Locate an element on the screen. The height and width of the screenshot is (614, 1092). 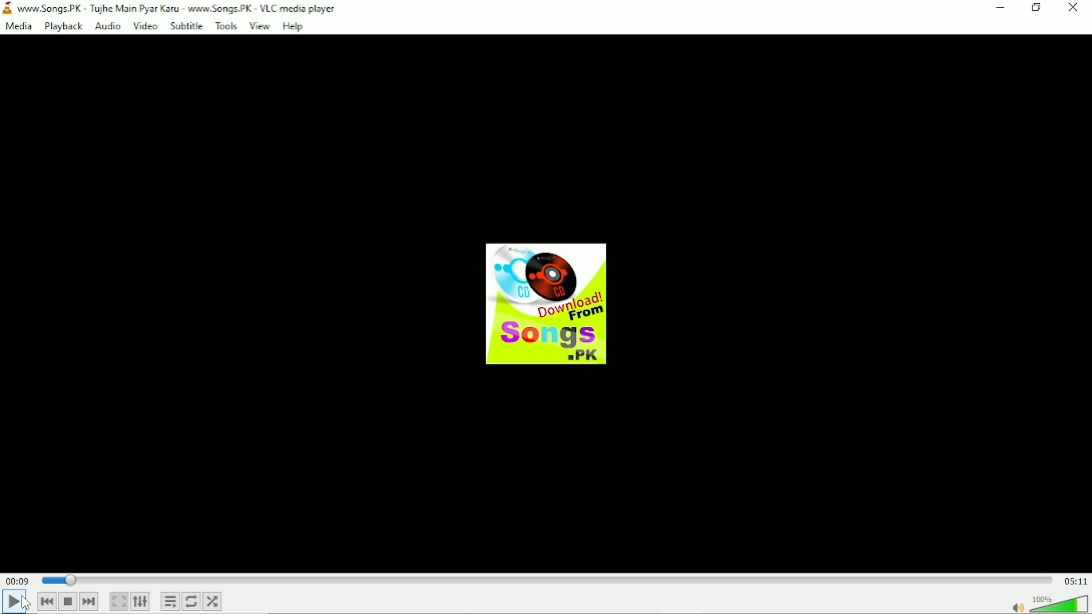
application logo is located at coordinates (7, 7).